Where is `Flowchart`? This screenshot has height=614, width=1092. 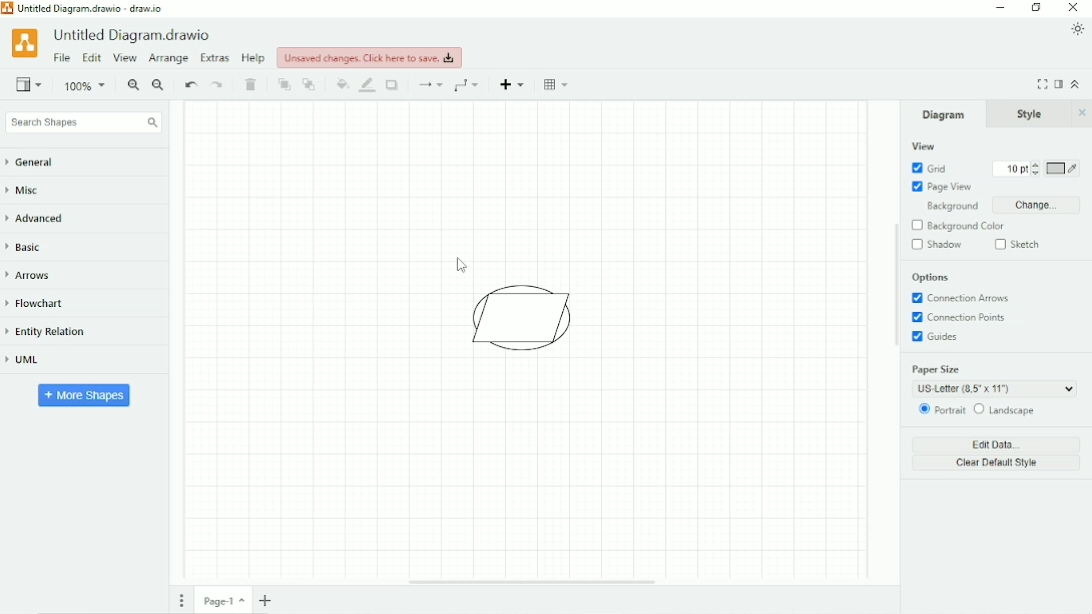
Flowchart is located at coordinates (43, 304).